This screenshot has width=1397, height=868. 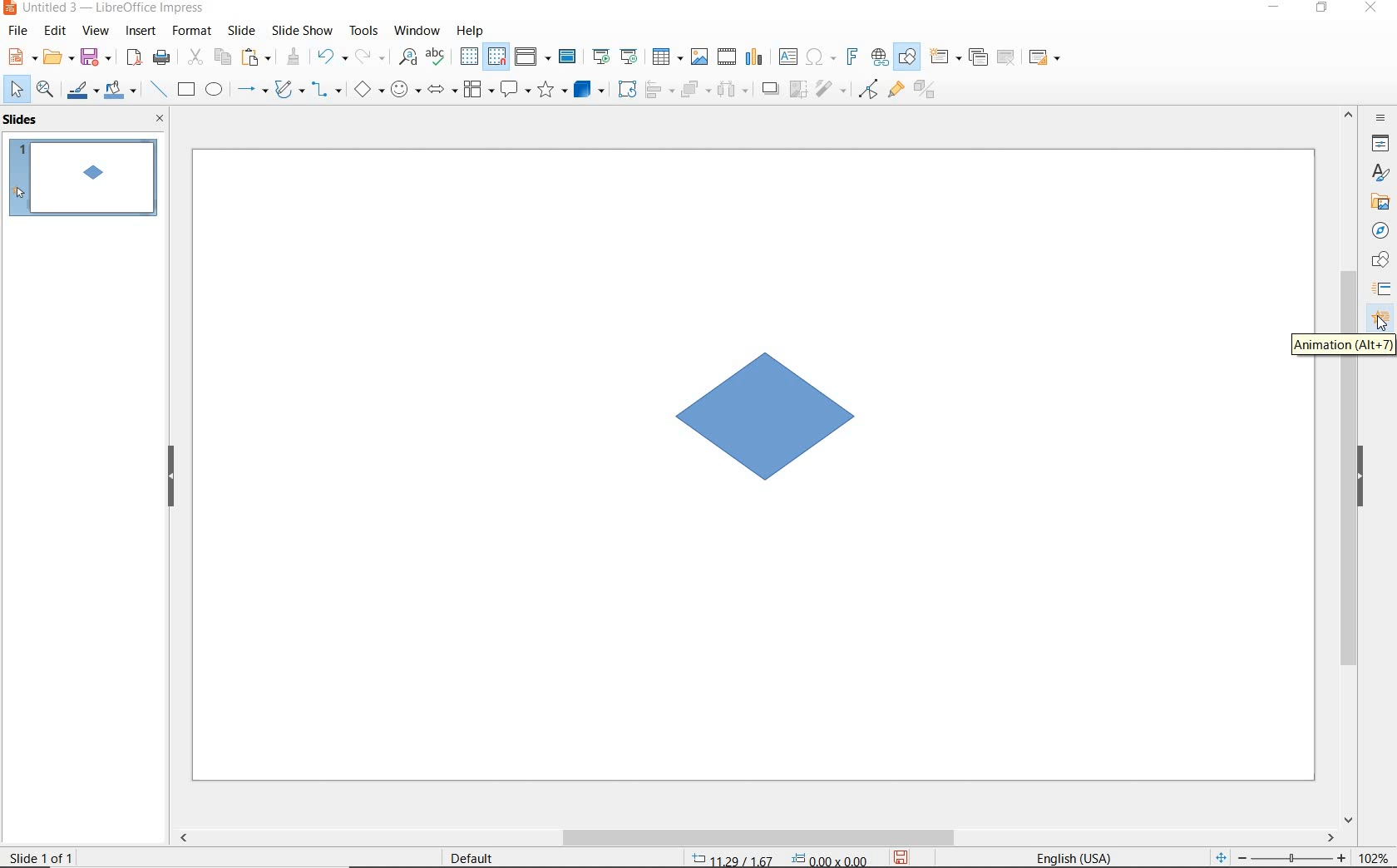 What do you see at coordinates (753, 58) in the screenshot?
I see `insert chart` at bounding box center [753, 58].